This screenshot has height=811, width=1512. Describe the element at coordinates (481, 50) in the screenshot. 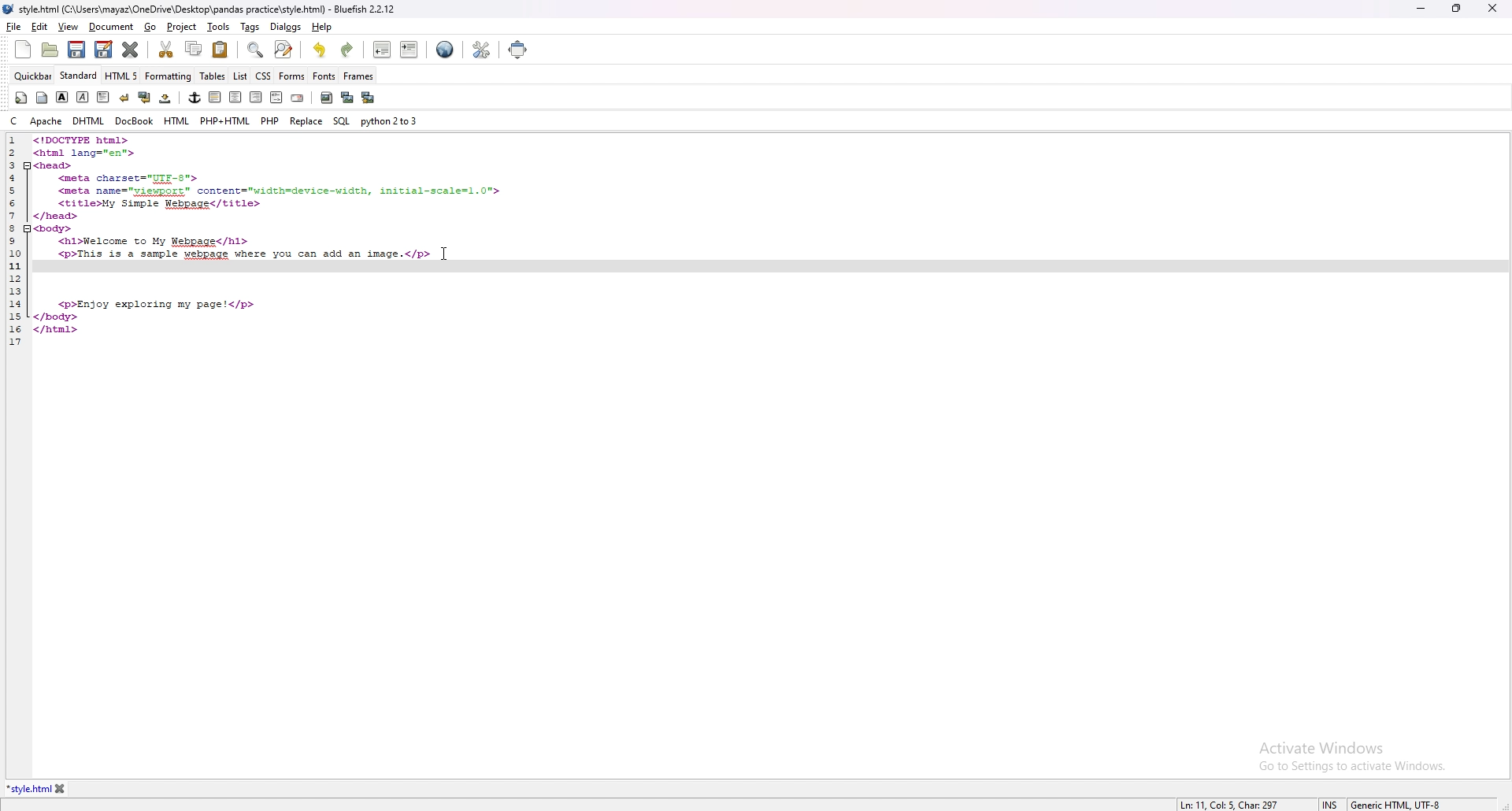

I see `edit preferences` at that location.